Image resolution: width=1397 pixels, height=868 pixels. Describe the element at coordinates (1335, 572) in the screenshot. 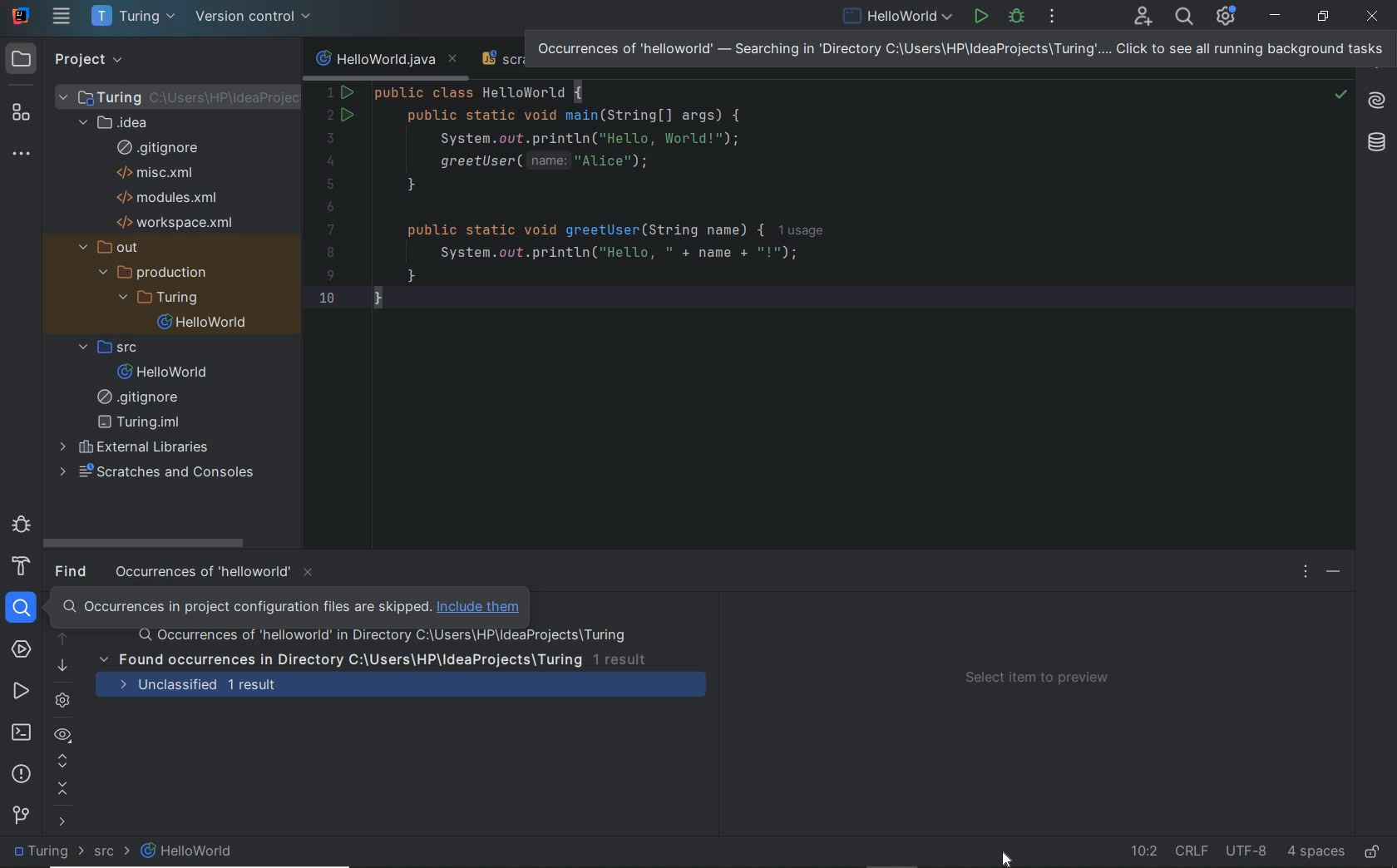

I see `hide` at that location.